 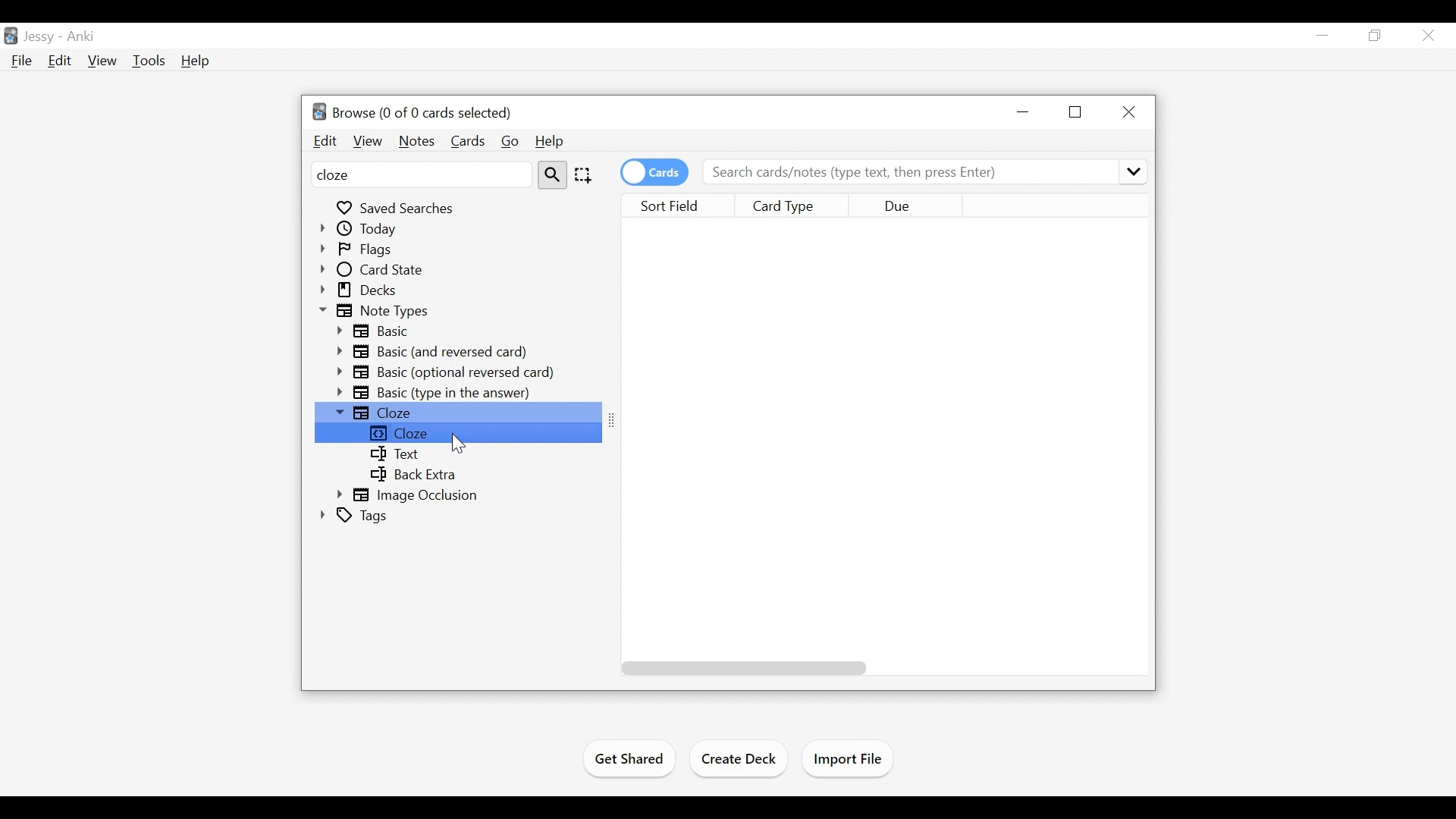 What do you see at coordinates (102, 60) in the screenshot?
I see `View` at bounding box center [102, 60].